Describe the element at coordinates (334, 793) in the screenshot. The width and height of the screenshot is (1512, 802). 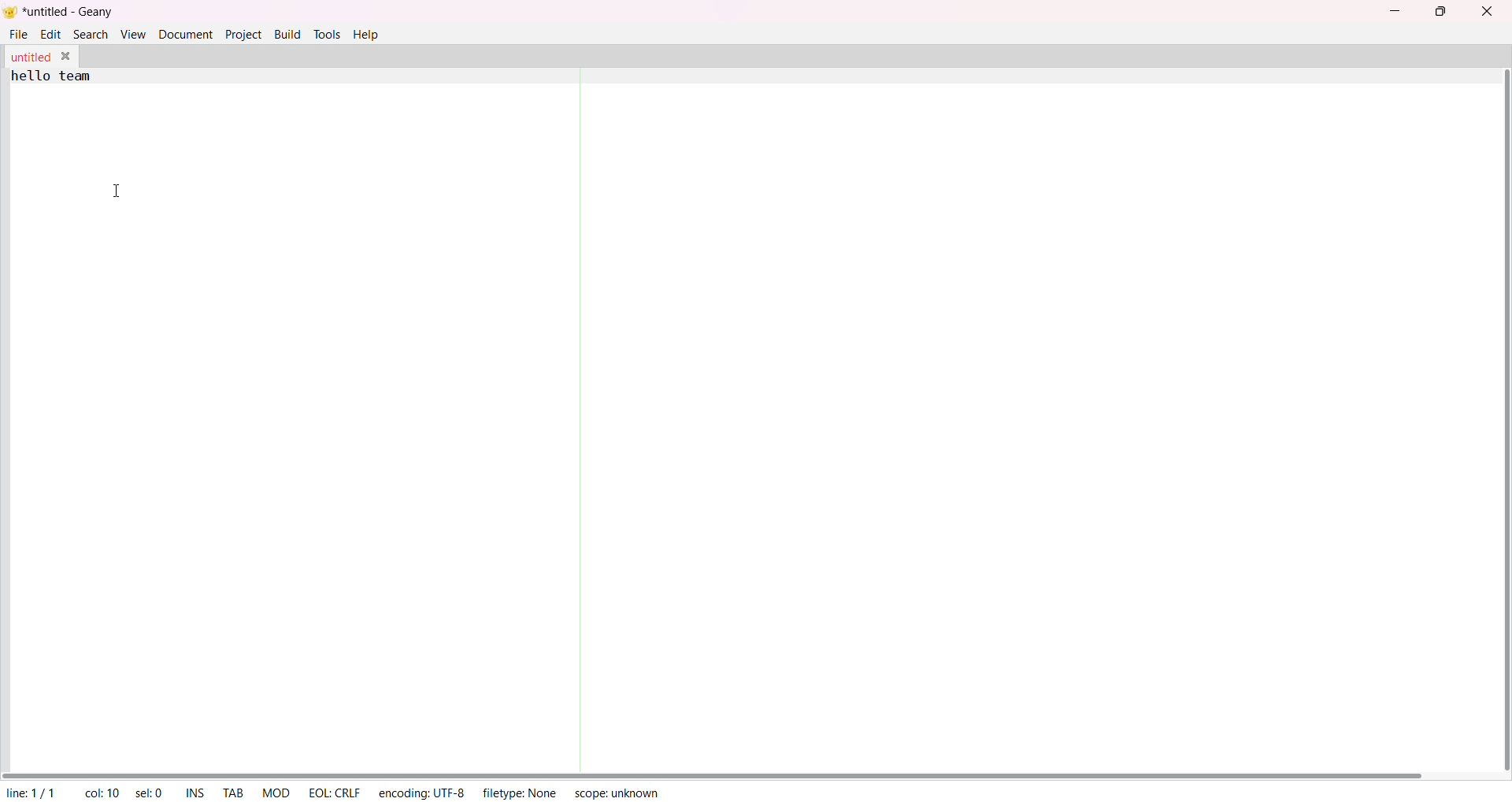
I see `EOL: CRLF` at that location.